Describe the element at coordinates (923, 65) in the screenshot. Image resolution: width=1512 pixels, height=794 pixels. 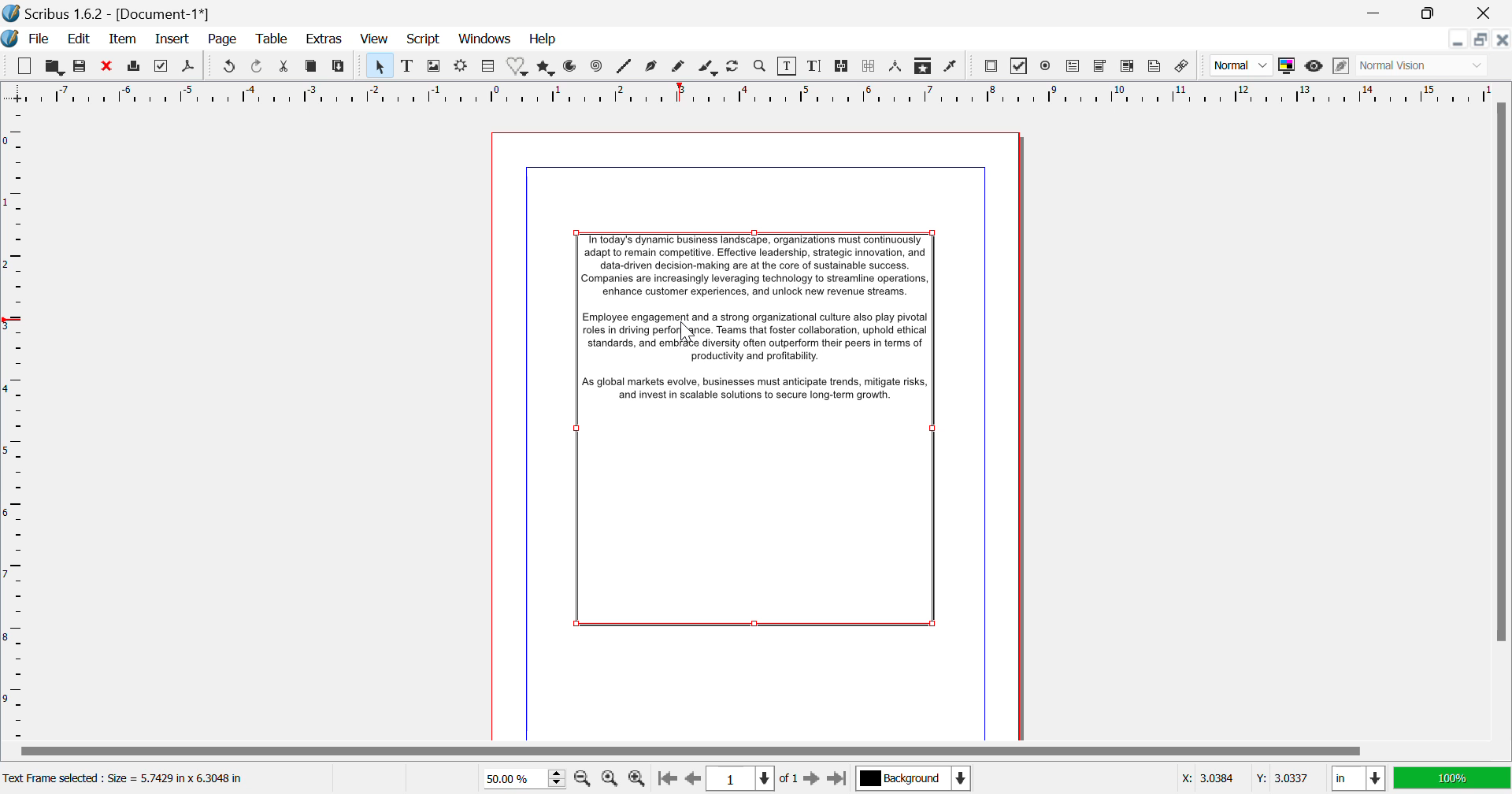
I see `Copy Item Properties` at that location.